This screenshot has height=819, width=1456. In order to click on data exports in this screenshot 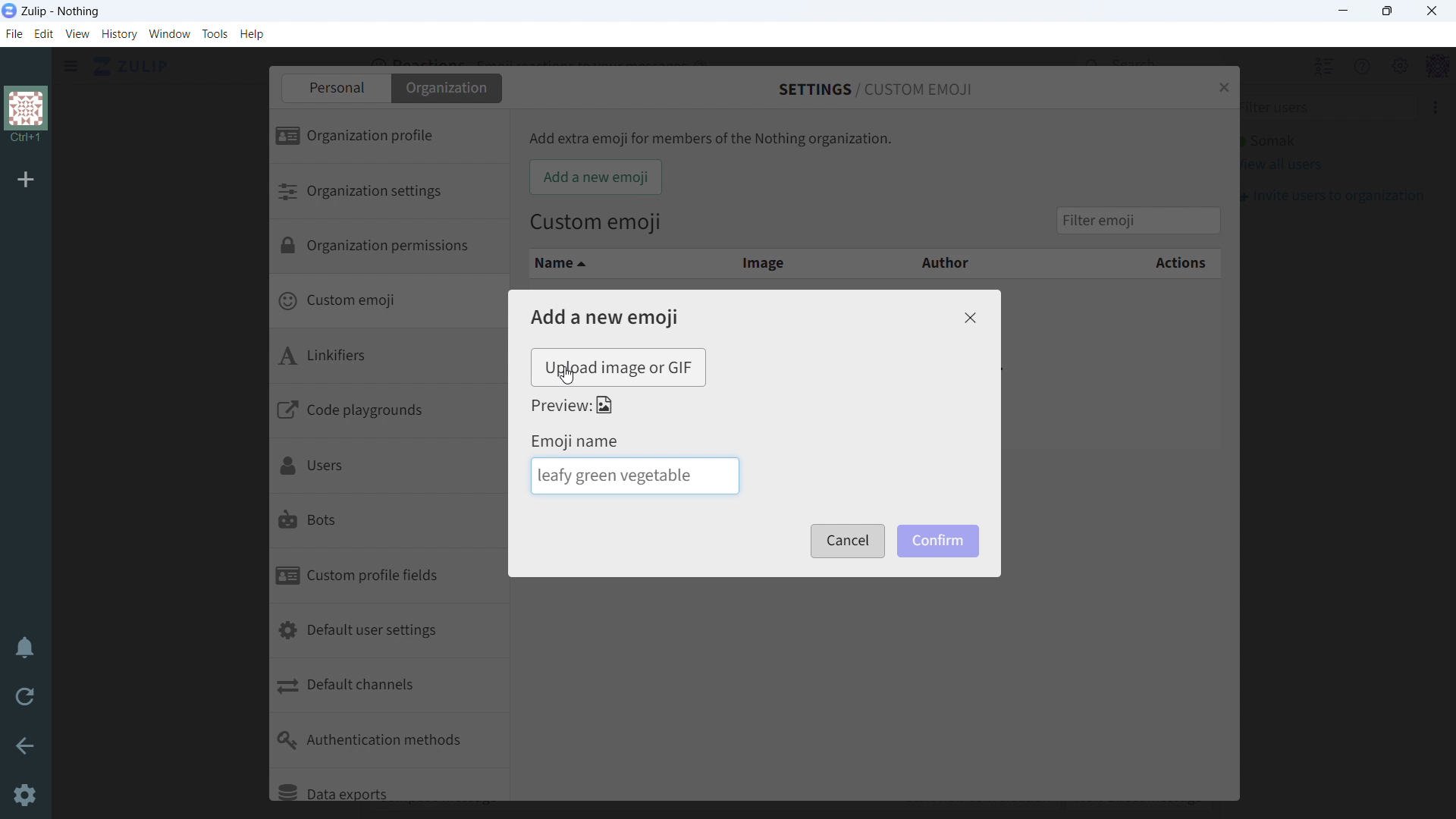, I will do `click(388, 785)`.